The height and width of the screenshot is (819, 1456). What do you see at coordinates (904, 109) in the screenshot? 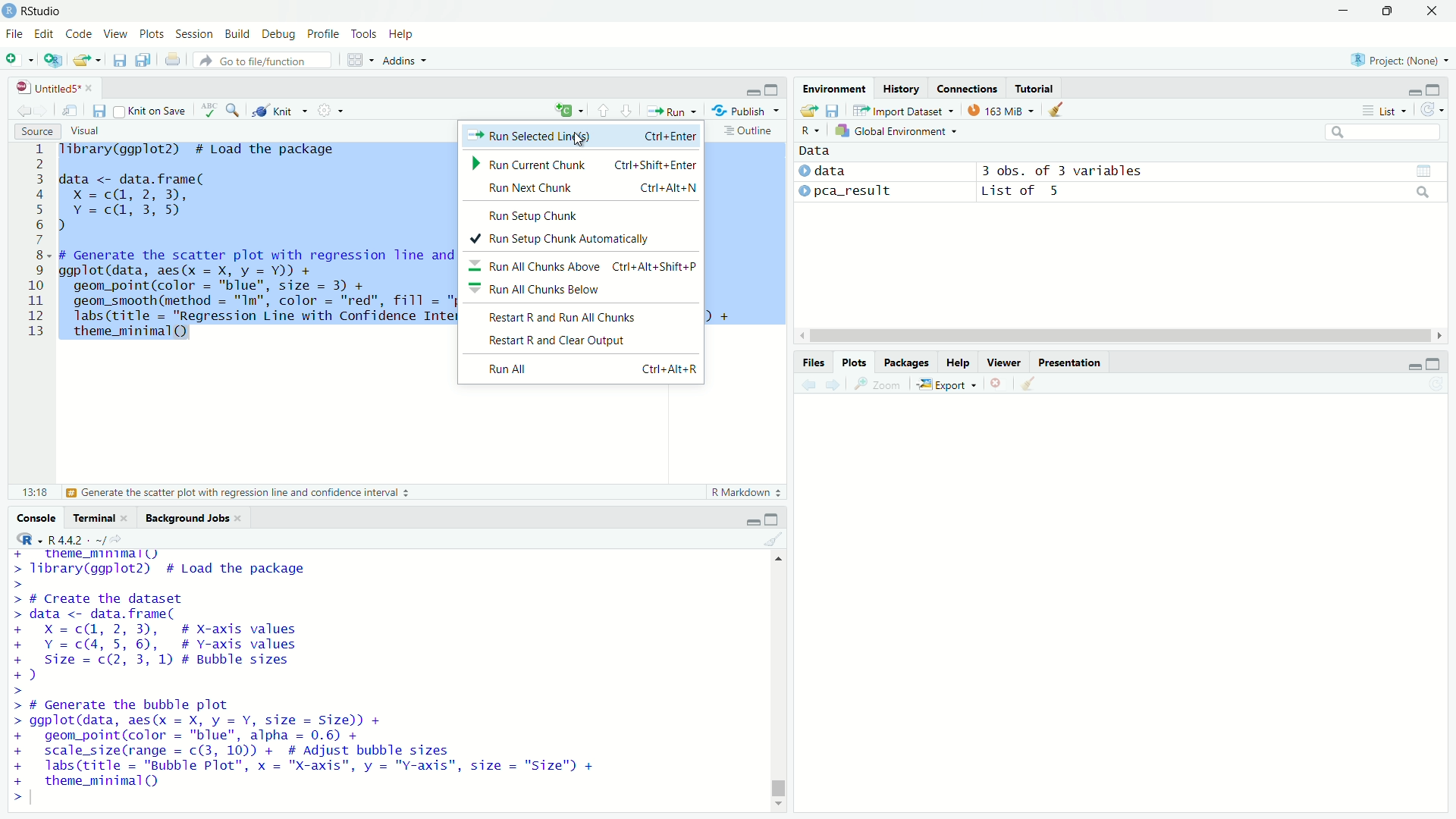
I see `Import Dataset` at bounding box center [904, 109].